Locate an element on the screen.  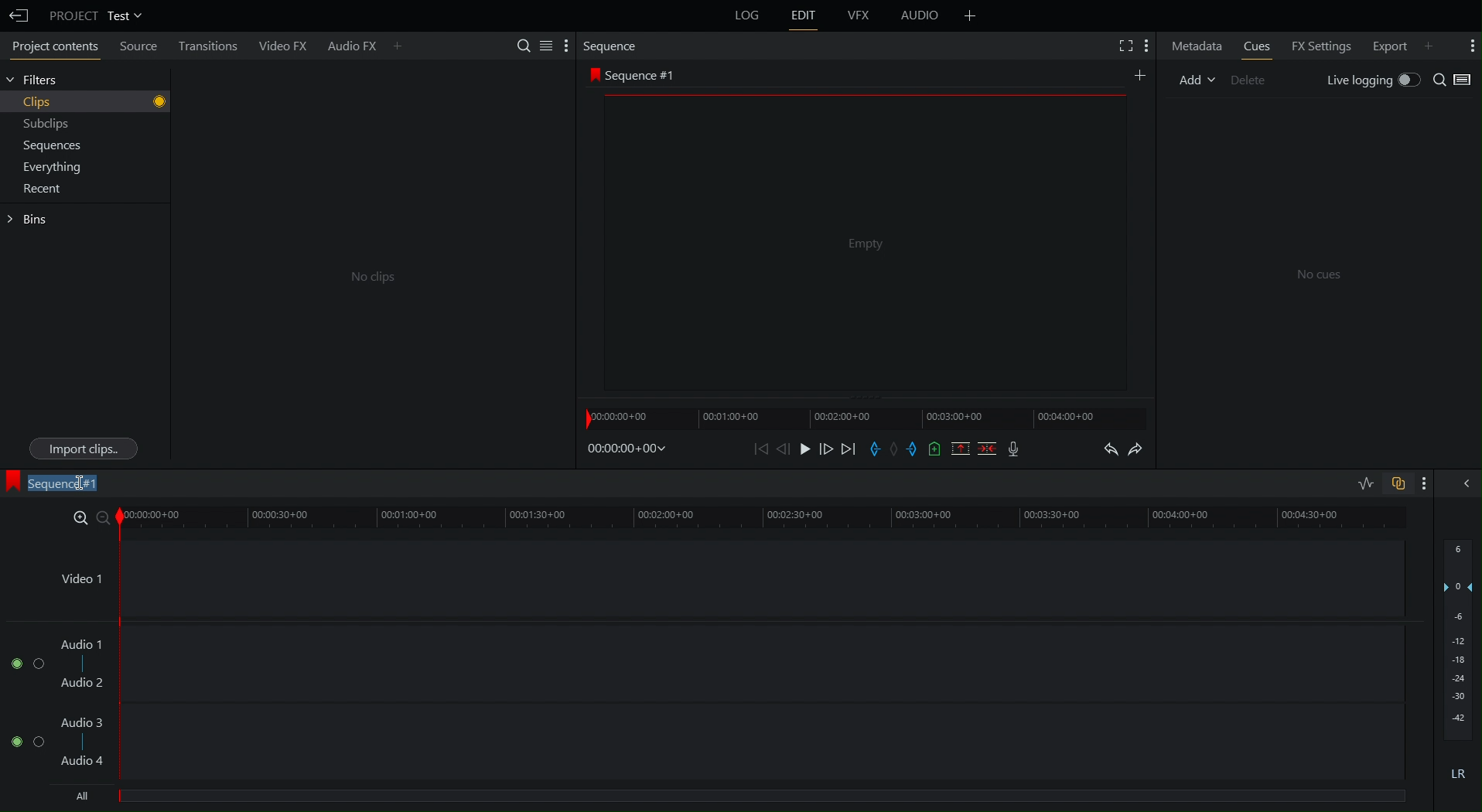
FX Settings is located at coordinates (1325, 44).